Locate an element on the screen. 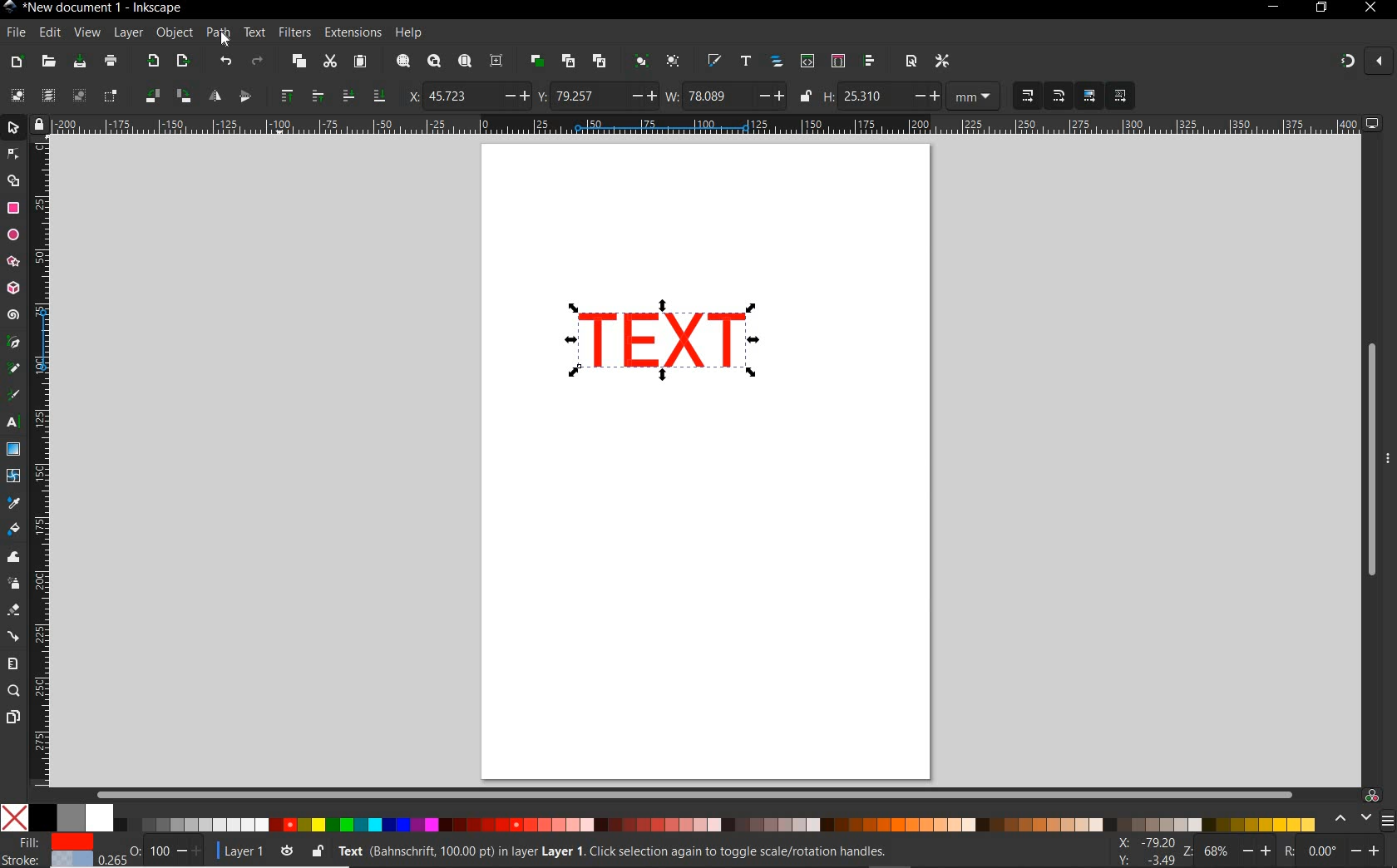  OBJECT ROTATE is located at coordinates (167, 95).